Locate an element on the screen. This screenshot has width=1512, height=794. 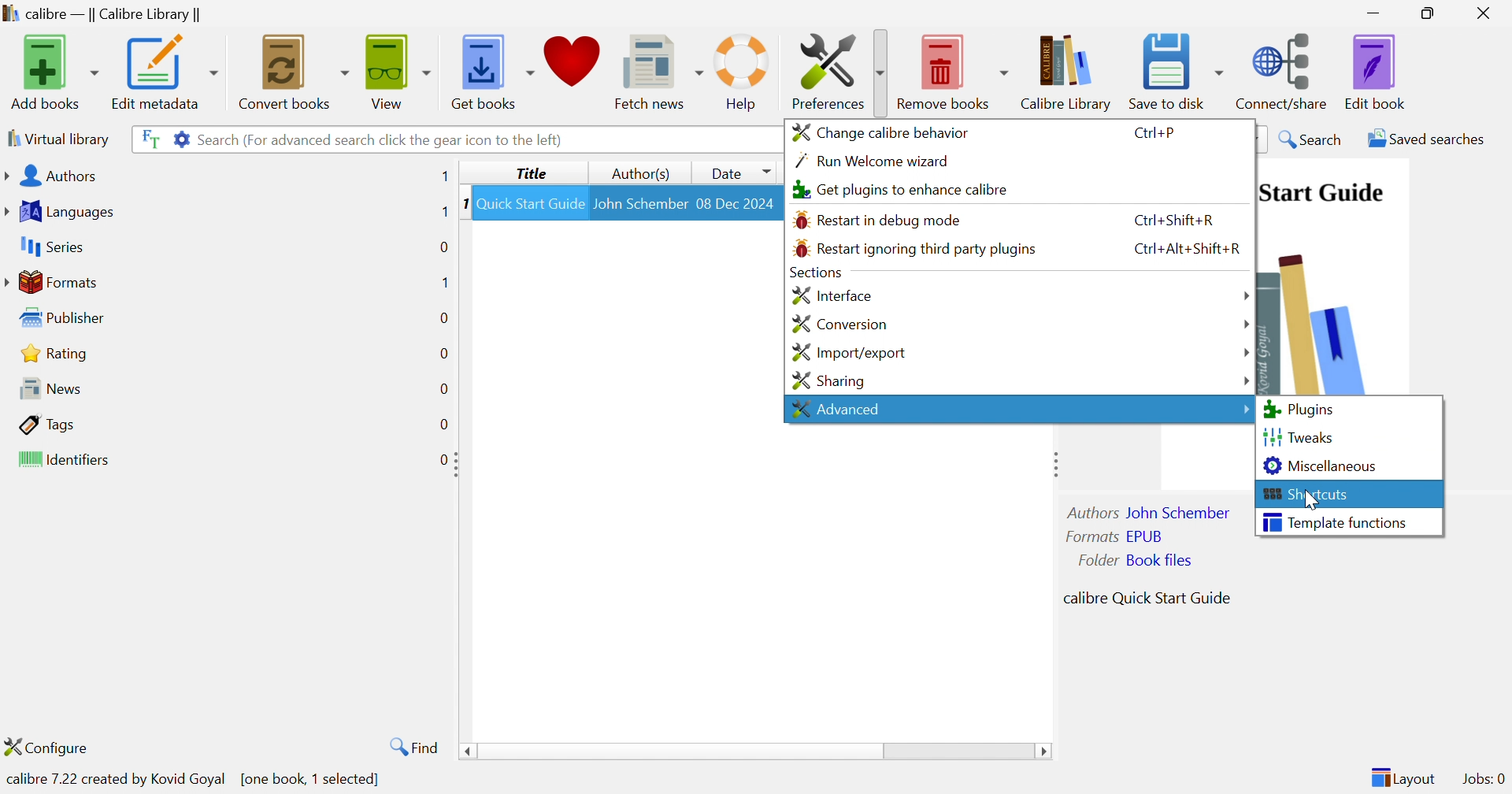
Save to disk is located at coordinates (1175, 67).